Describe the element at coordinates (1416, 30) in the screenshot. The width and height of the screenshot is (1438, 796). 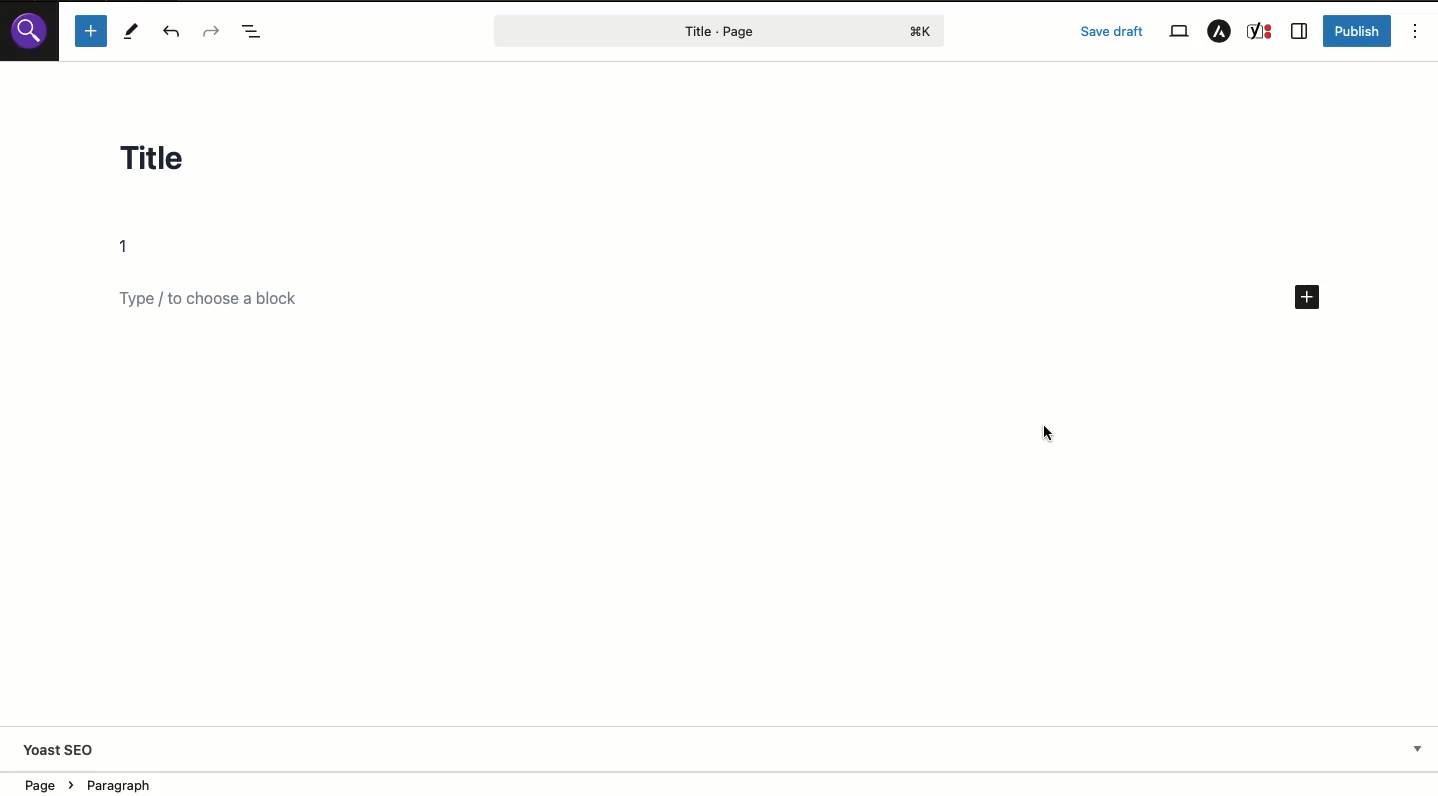
I see `Options` at that location.